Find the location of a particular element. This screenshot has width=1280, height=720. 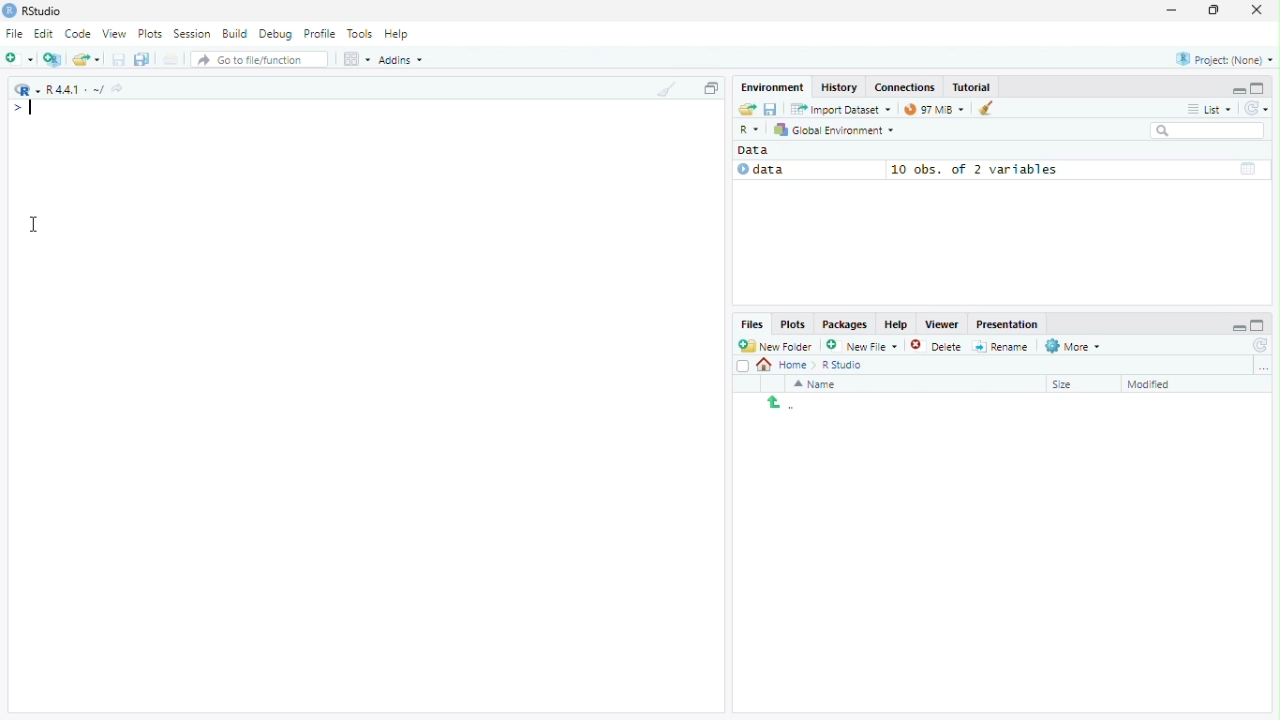

Tools is located at coordinates (361, 34).